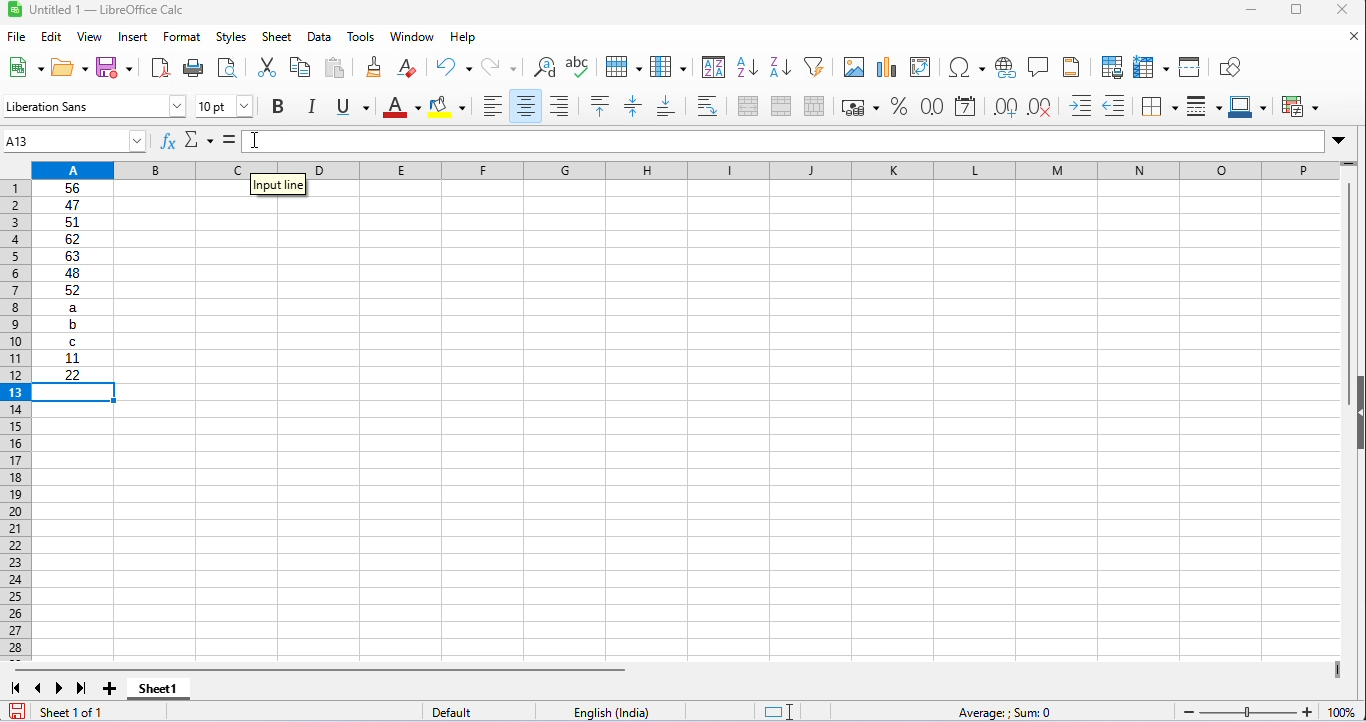  I want to click on insert header and footer, so click(1072, 66).